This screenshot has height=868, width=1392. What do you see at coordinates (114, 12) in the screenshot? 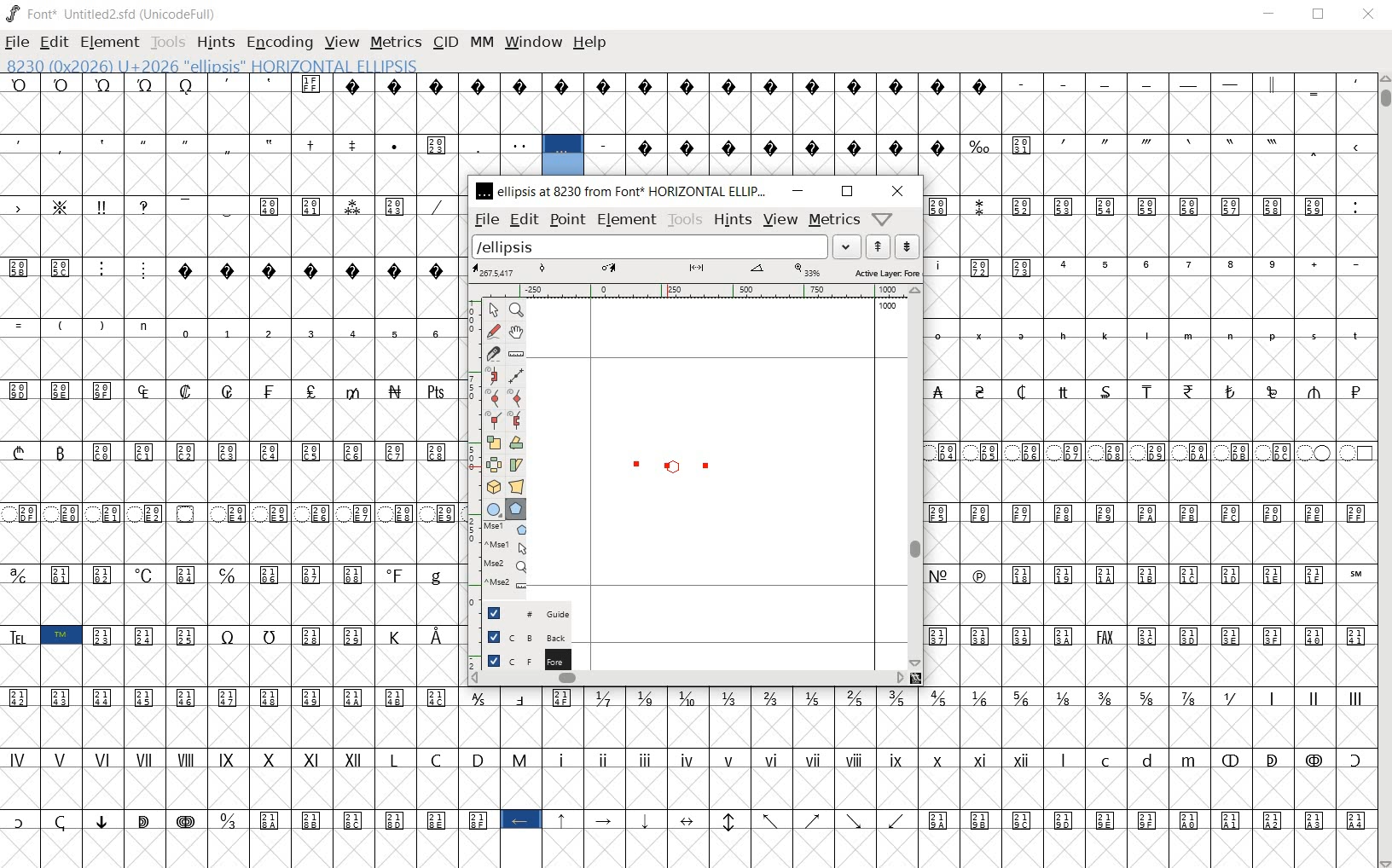
I see `FONT*UNTITLED2.SFD (UNICODEFULL)` at bounding box center [114, 12].